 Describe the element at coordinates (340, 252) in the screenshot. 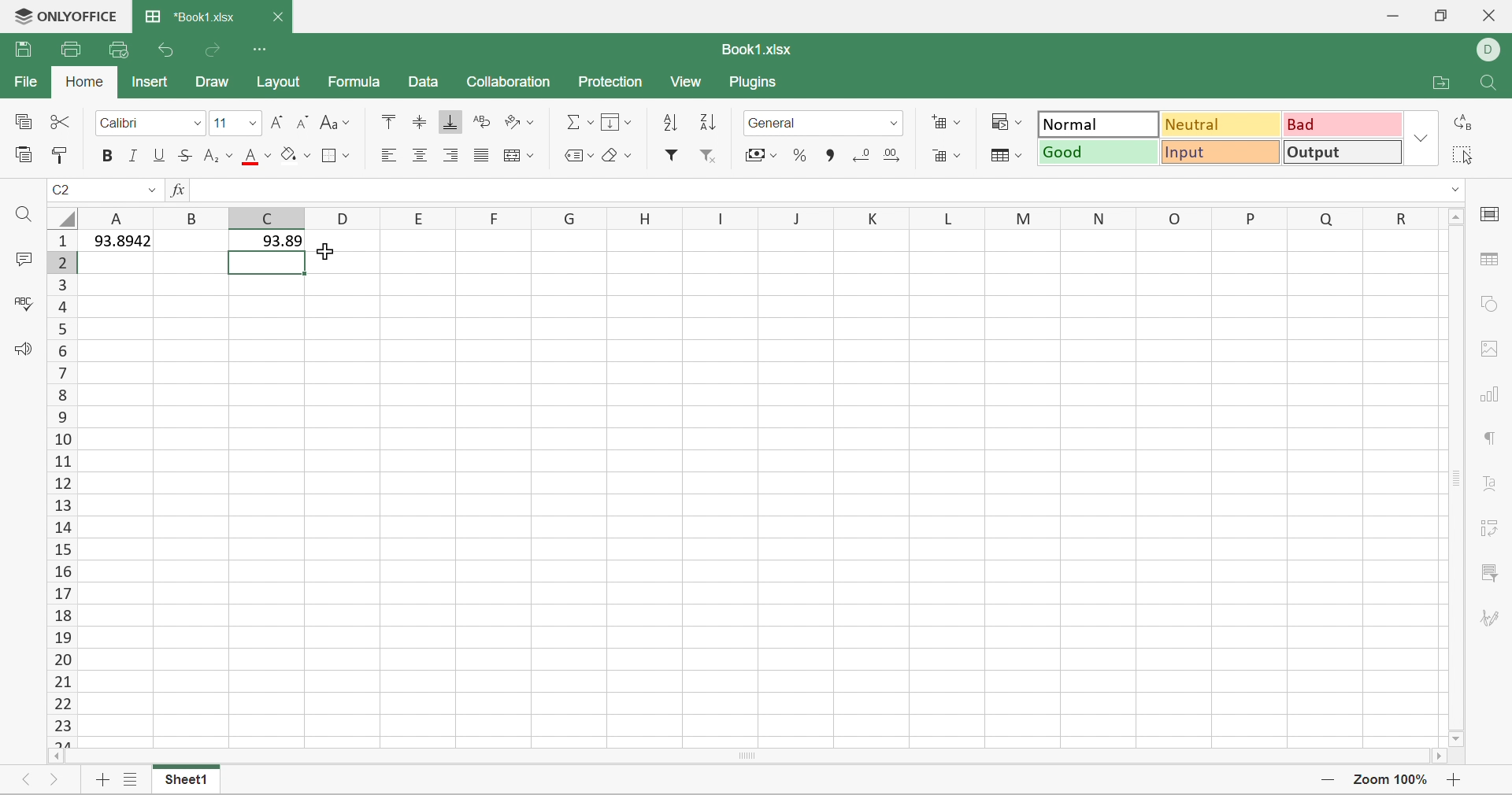

I see `Cursor` at that location.